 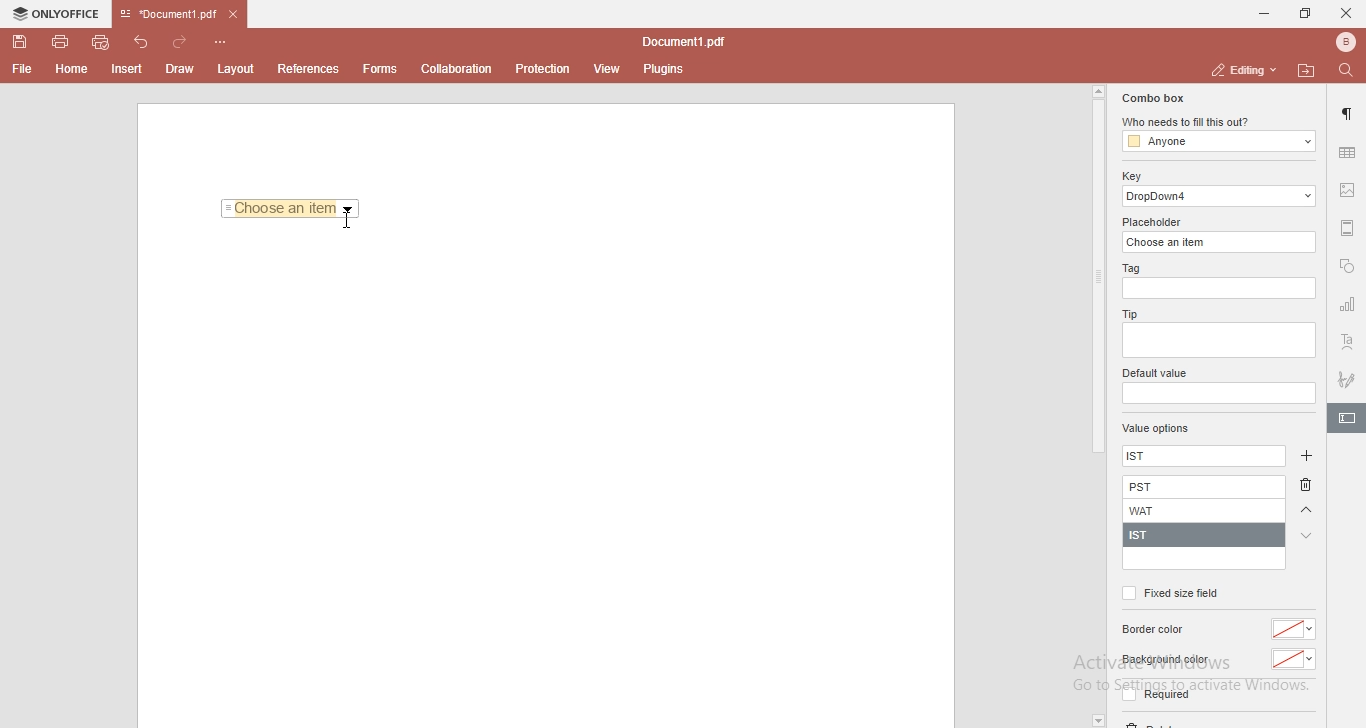 I want to click on tip, so click(x=1127, y=313).